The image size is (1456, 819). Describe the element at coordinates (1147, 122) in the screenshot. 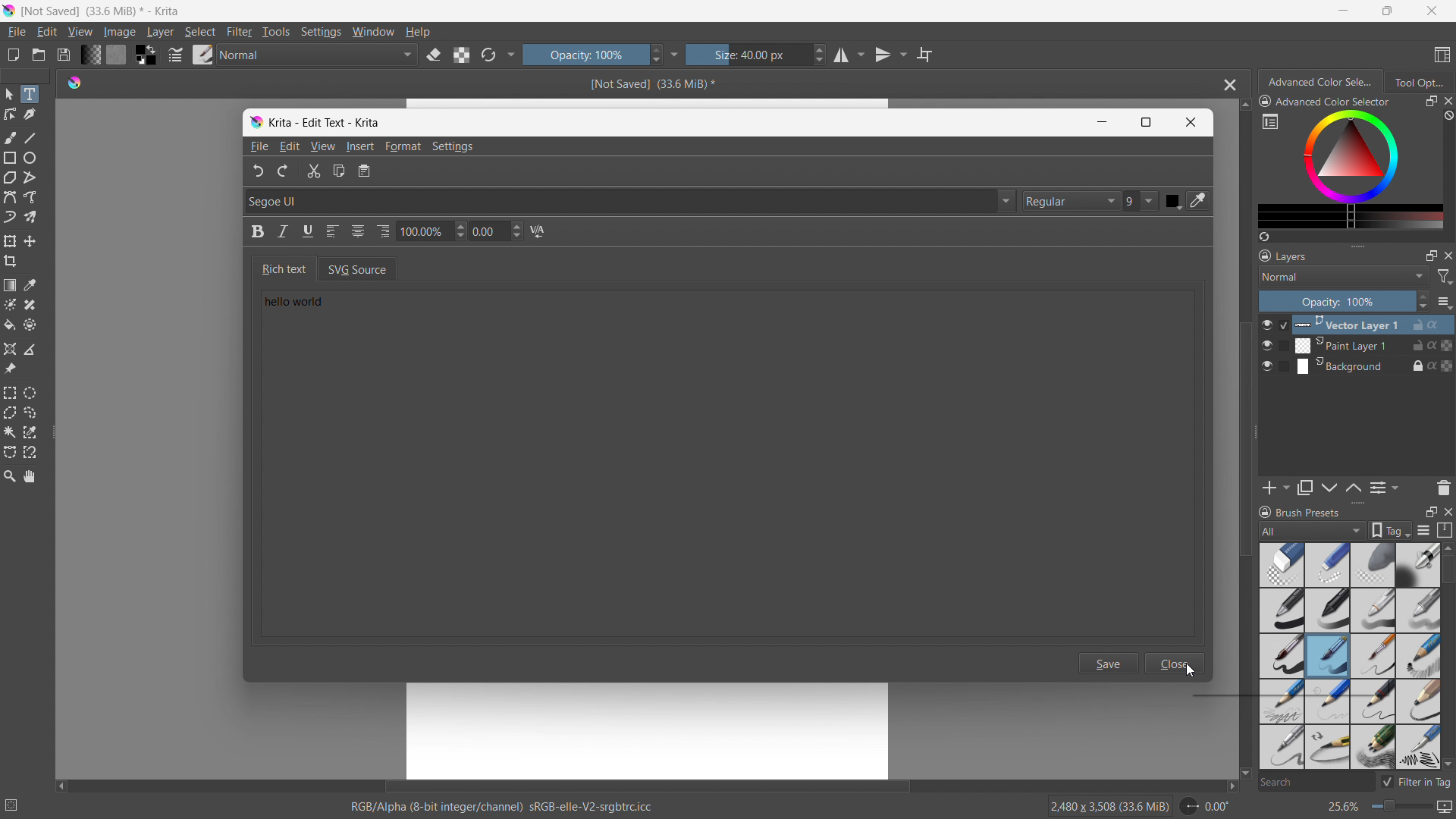

I see `Maximize` at that location.